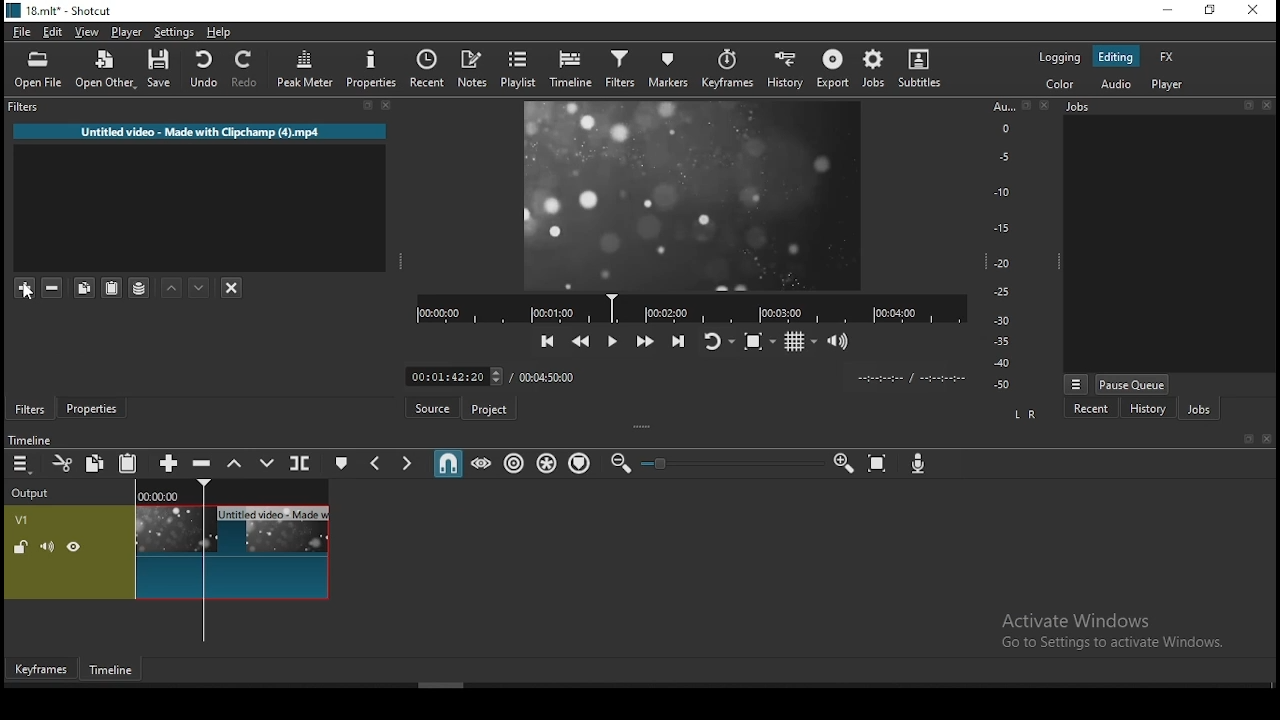 The height and width of the screenshot is (720, 1280). What do you see at coordinates (573, 67) in the screenshot?
I see `timeline` at bounding box center [573, 67].